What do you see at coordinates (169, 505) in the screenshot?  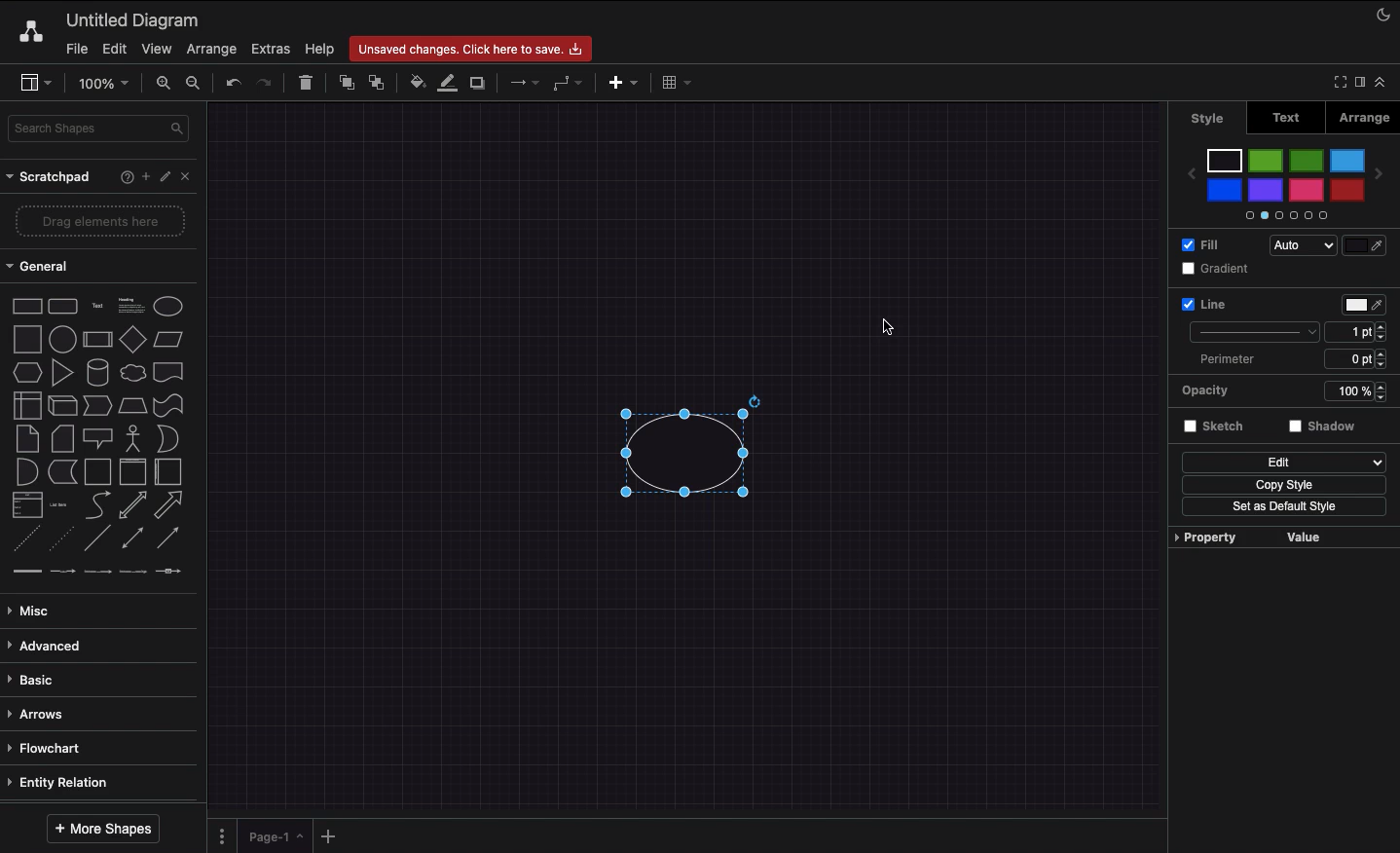 I see `Arrow` at bounding box center [169, 505].